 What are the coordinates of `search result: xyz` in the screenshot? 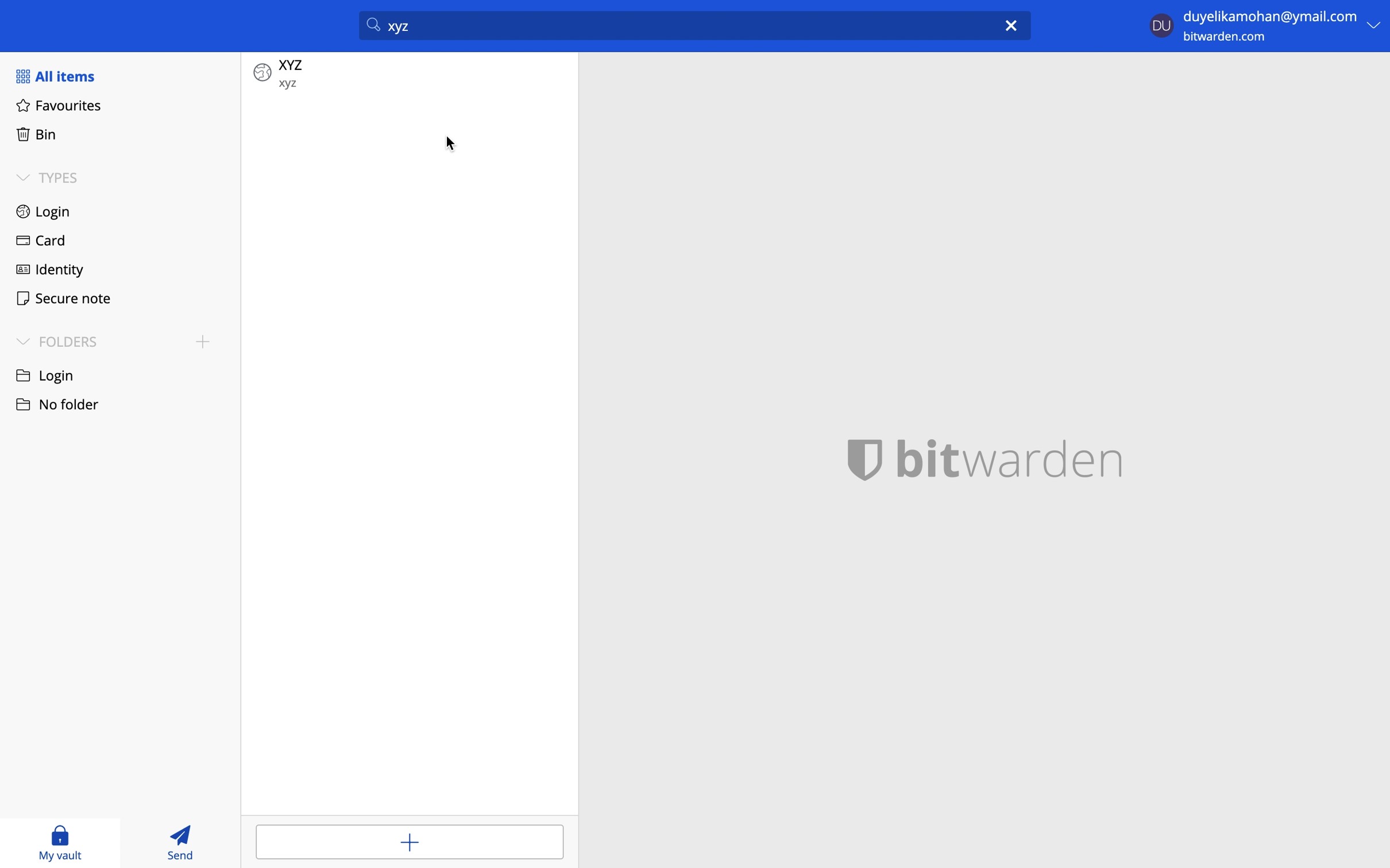 It's located at (412, 75).